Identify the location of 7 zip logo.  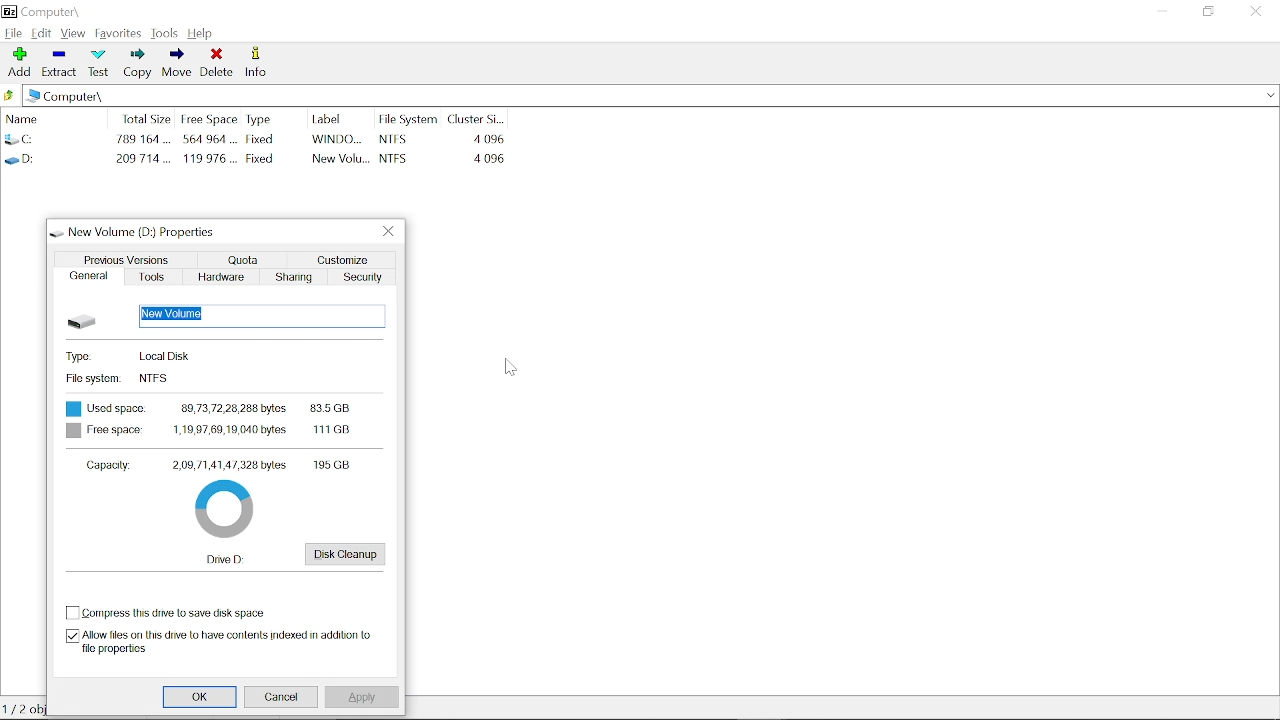
(8, 9).